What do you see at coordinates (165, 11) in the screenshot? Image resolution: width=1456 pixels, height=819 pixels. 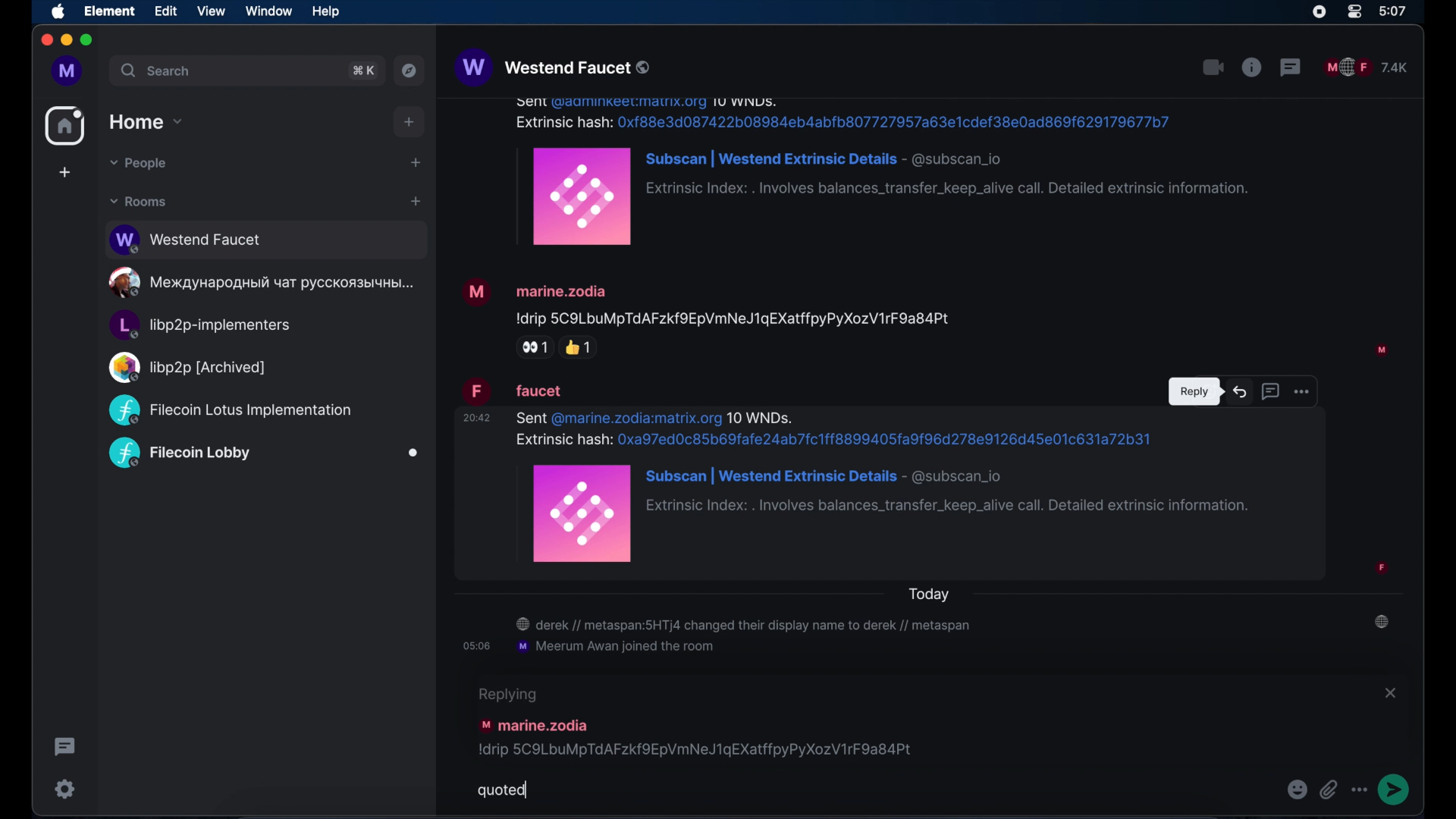 I see `edit` at bounding box center [165, 11].